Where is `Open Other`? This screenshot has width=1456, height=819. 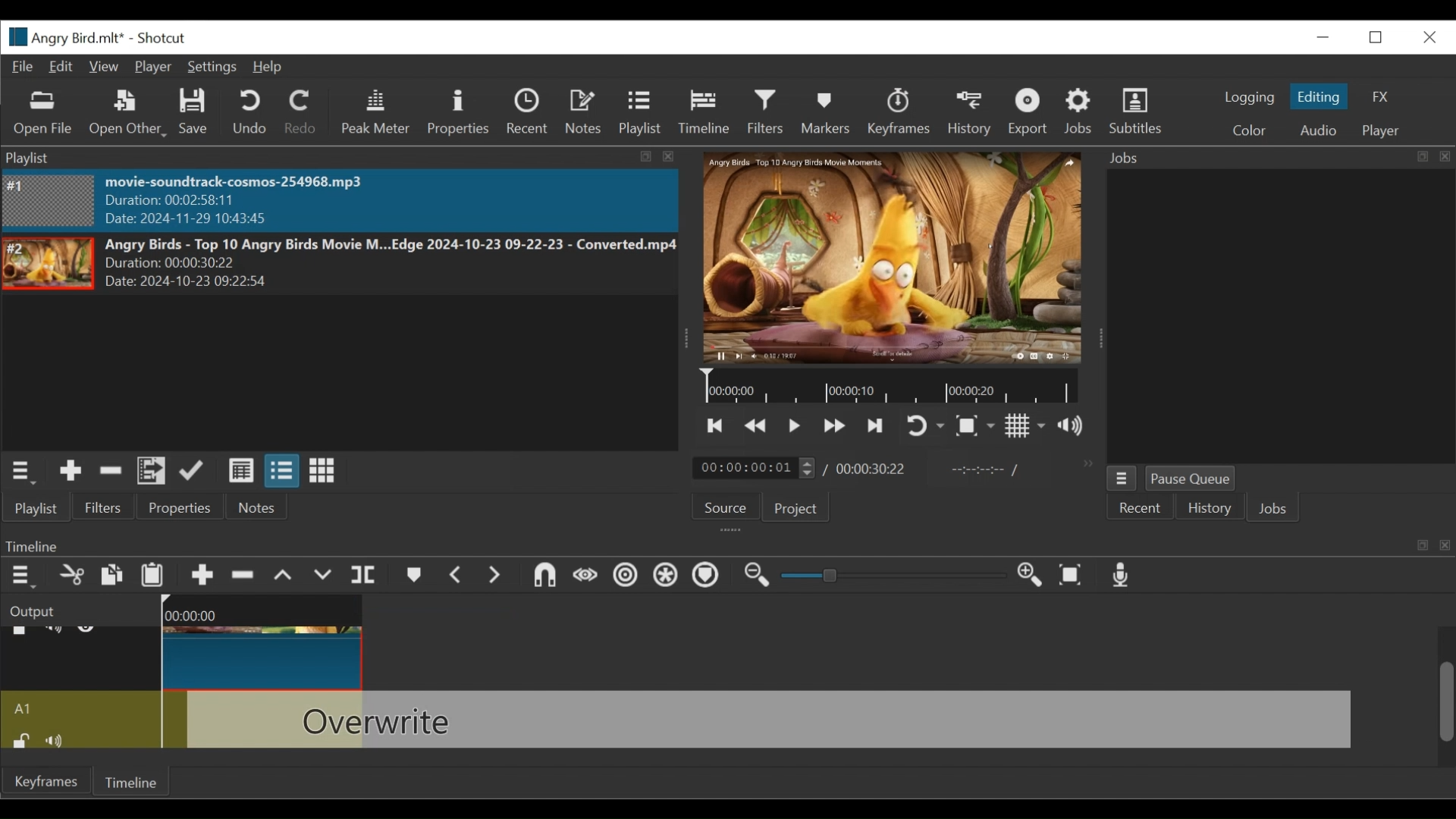
Open Other is located at coordinates (128, 114).